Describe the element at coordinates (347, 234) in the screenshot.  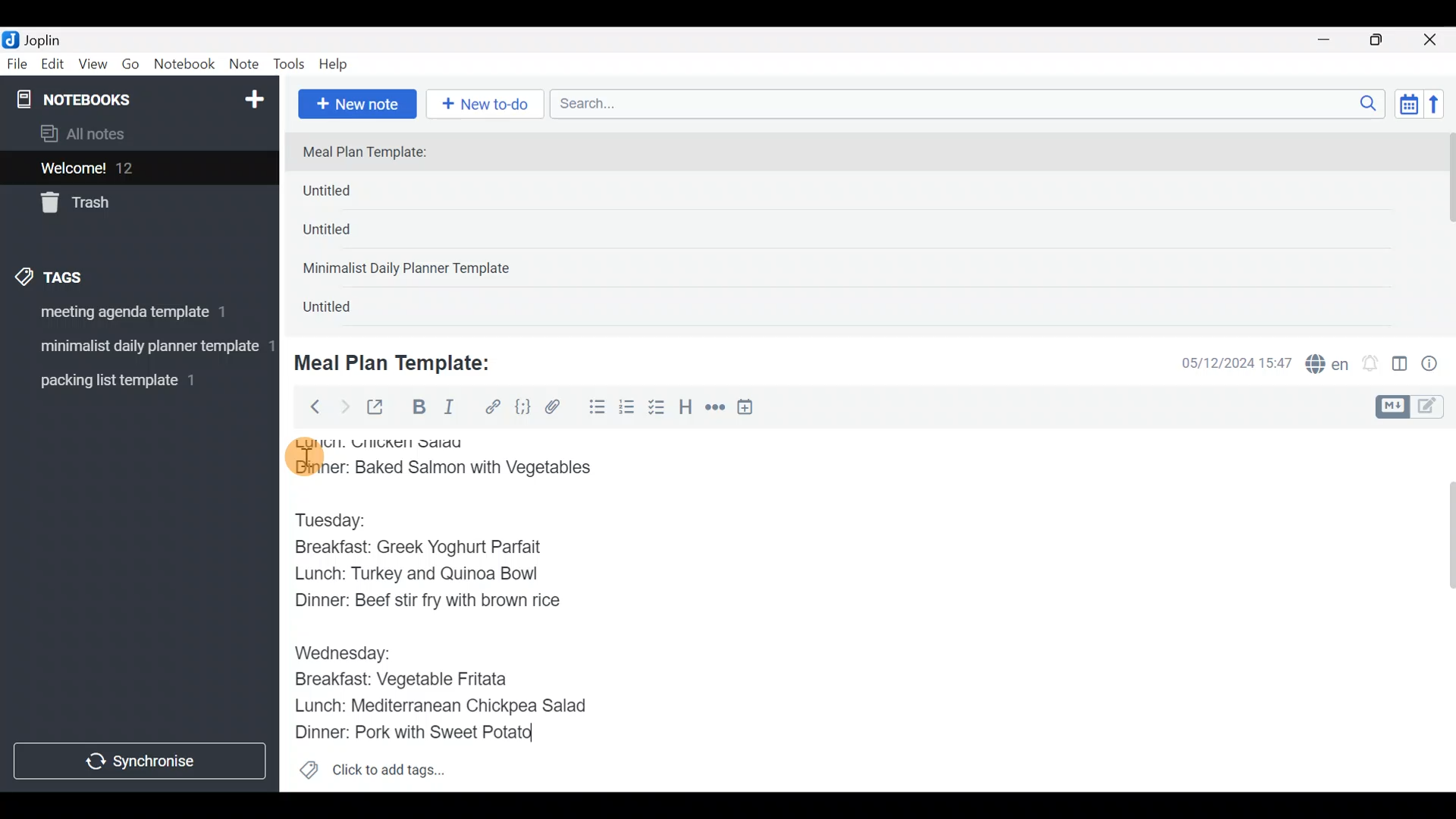
I see `Untitled` at that location.